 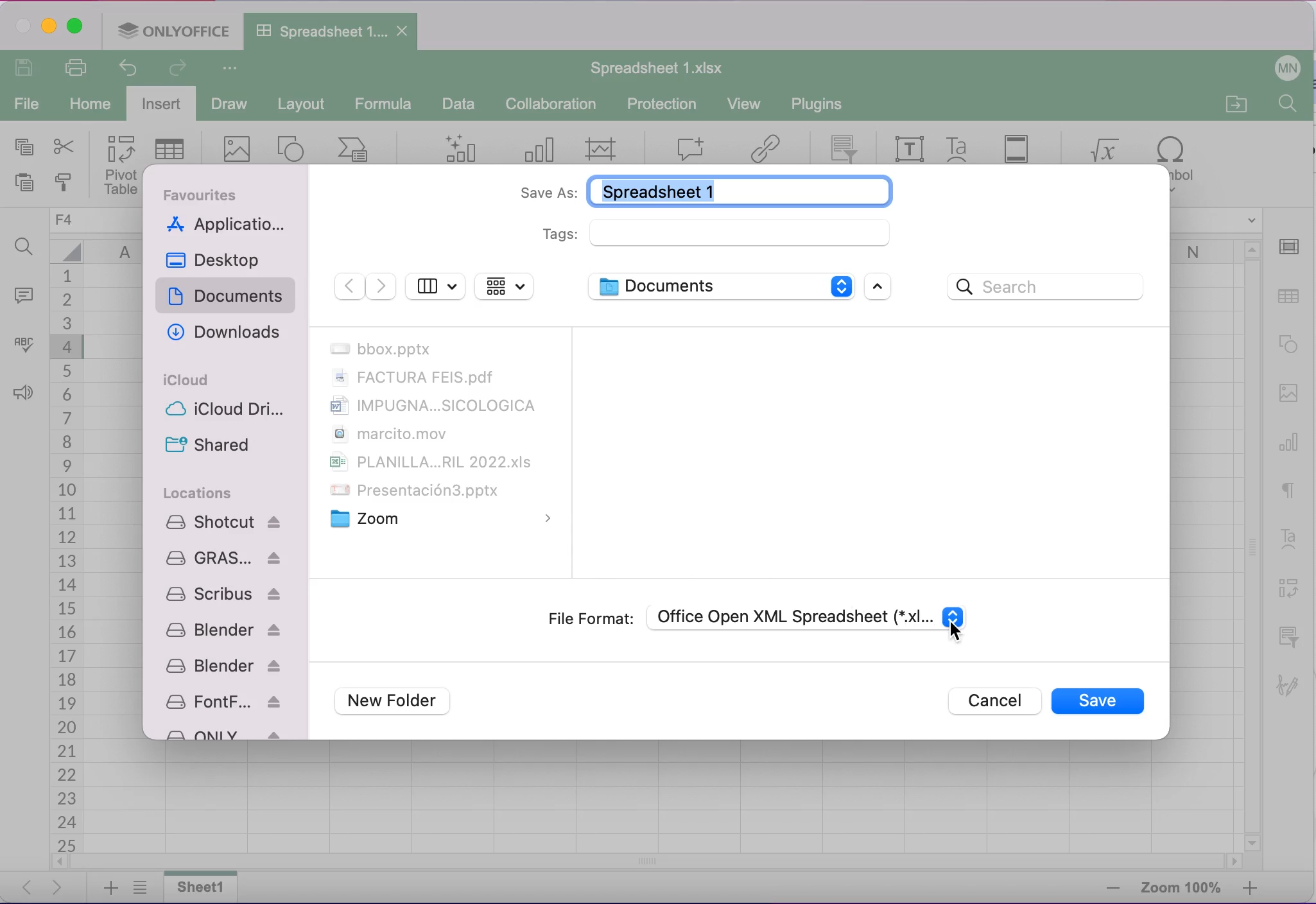 I want to click on favourites, so click(x=207, y=195).